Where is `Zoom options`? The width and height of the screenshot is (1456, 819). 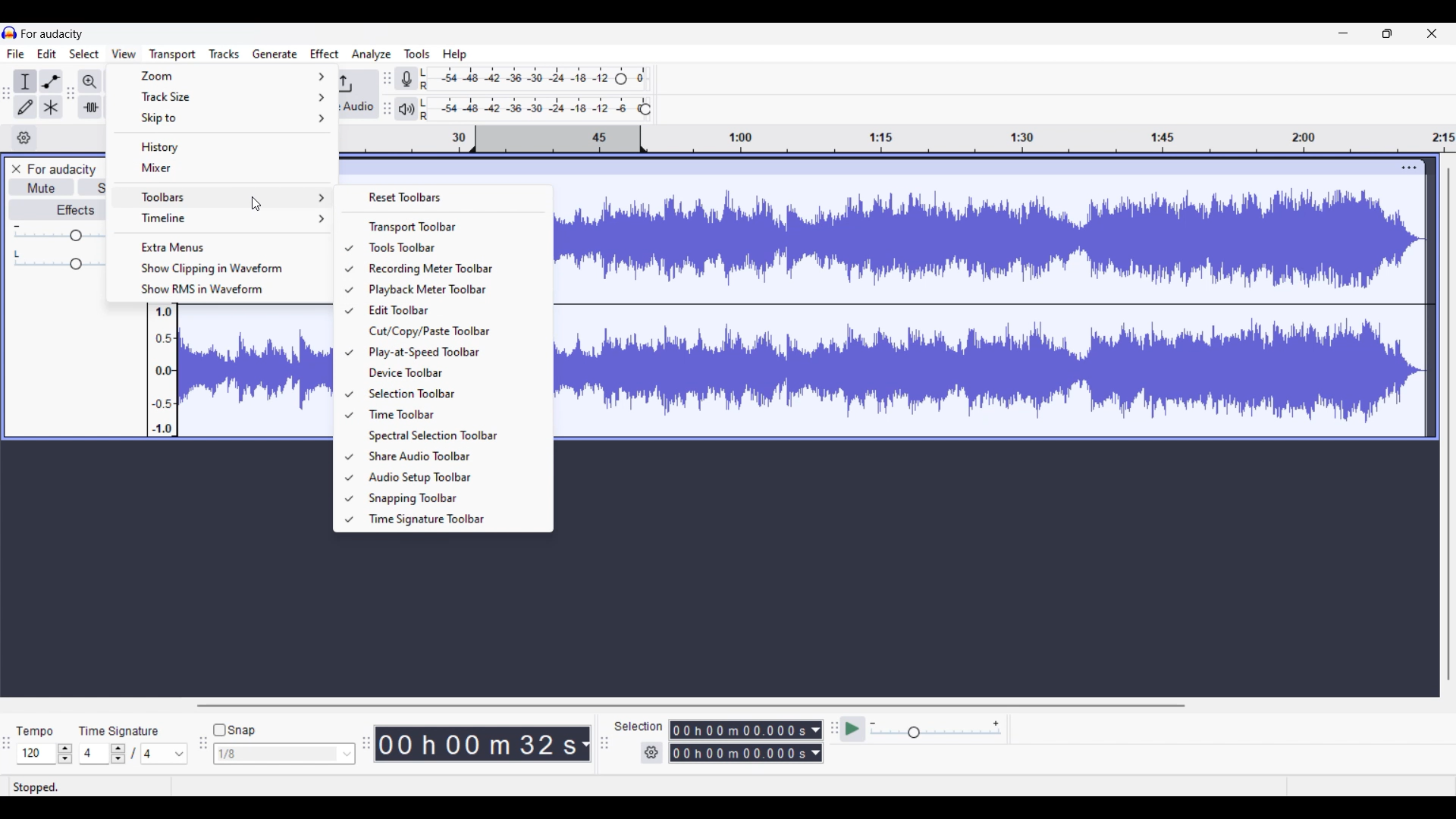
Zoom options is located at coordinates (223, 75).